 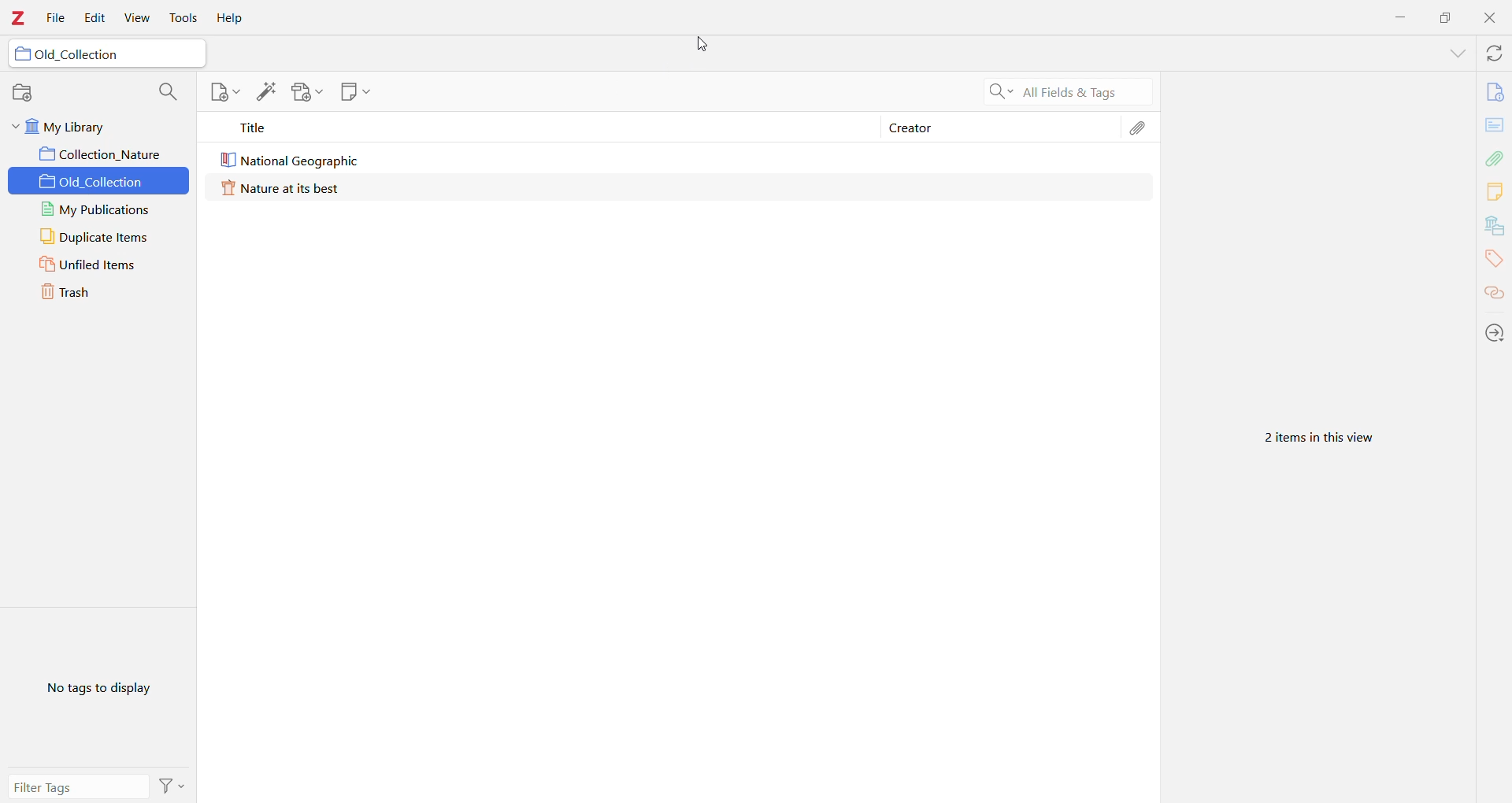 What do you see at coordinates (1403, 16) in the screenshot?
I see `Minimize` at bounding box center [1403, 16].